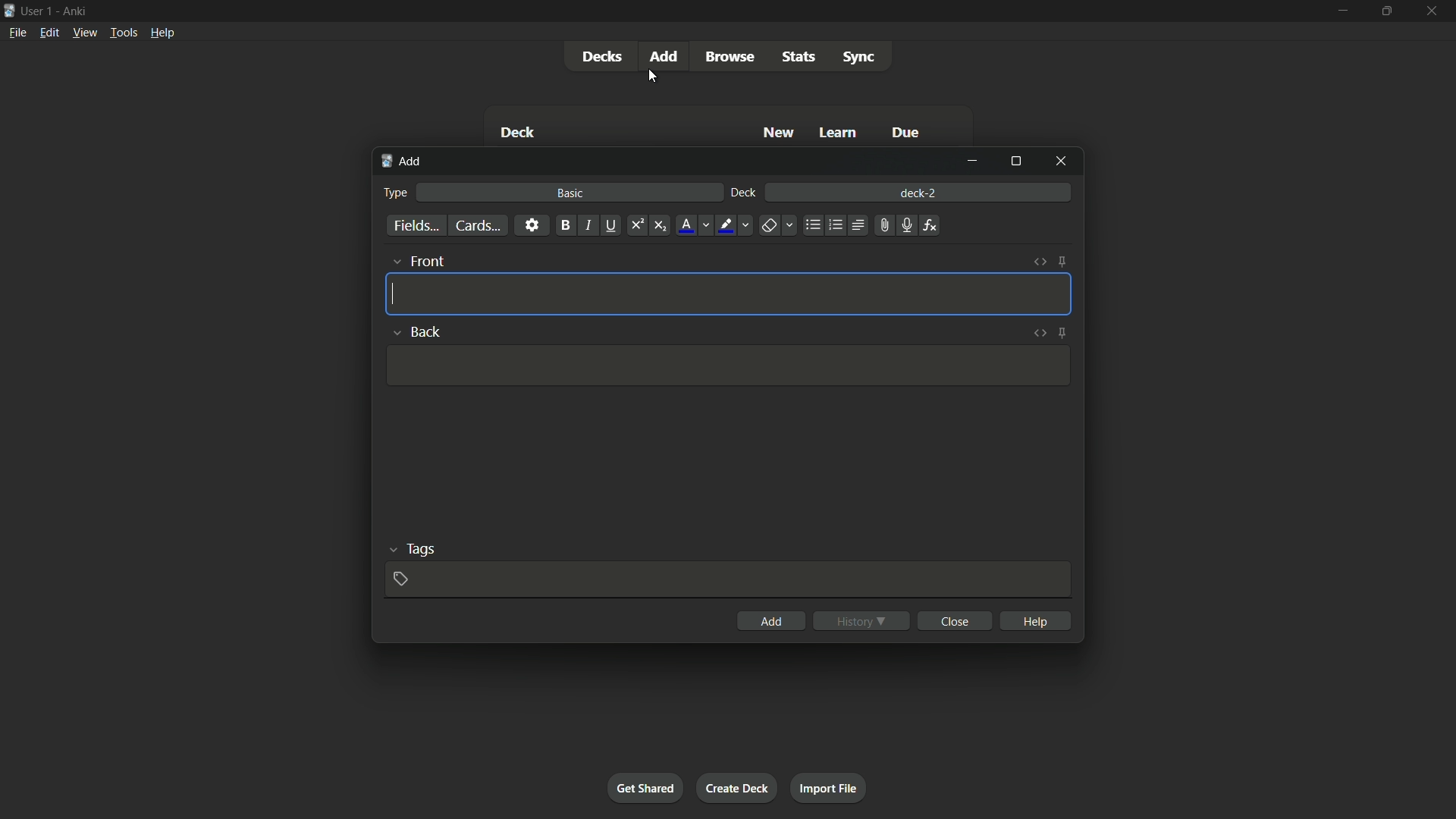  Describe the element at coordinates (647, 788) in the screenshot. I see `get shared` at that location.